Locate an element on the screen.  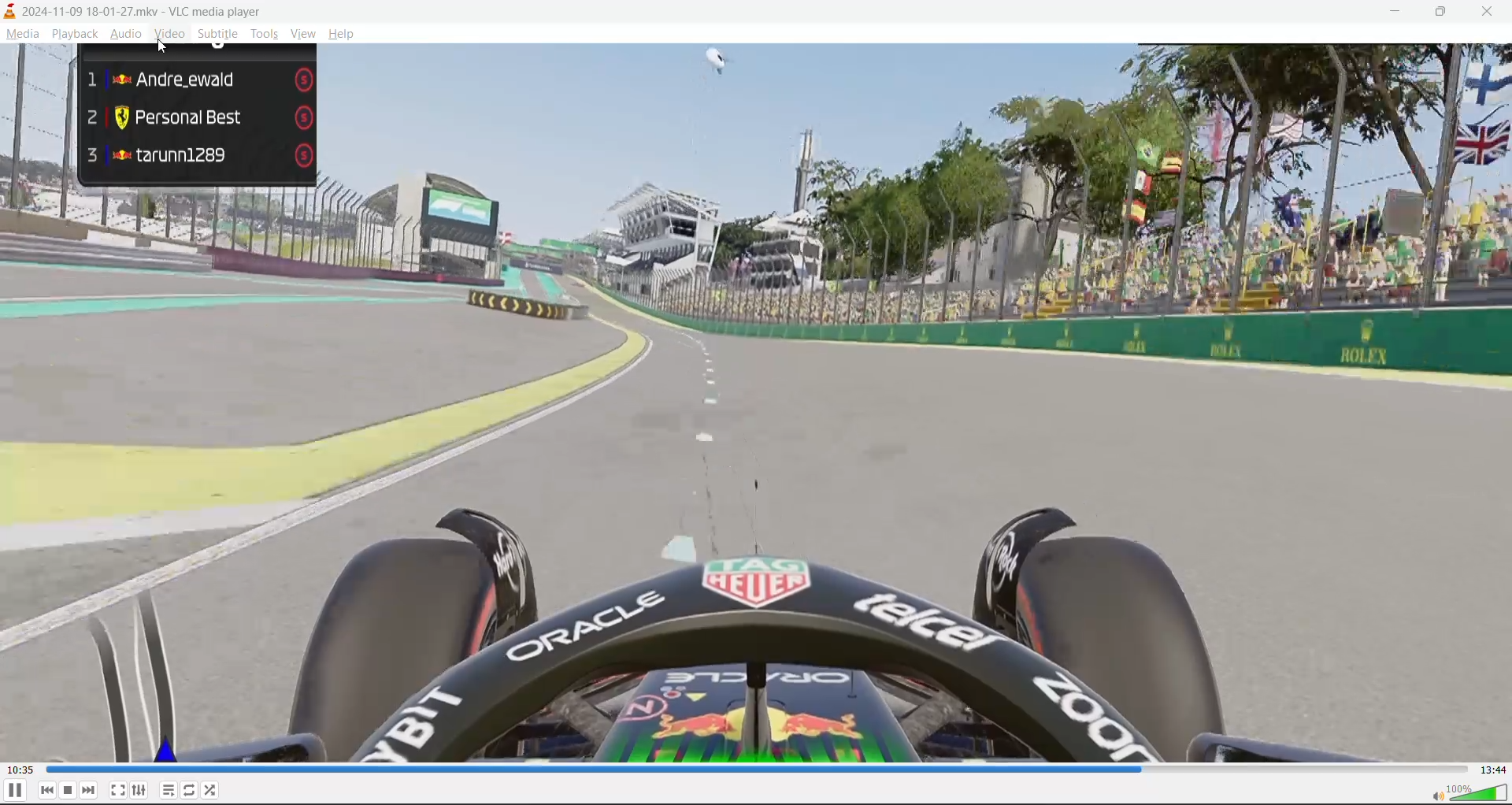
video is located at coordinates (756, 405).